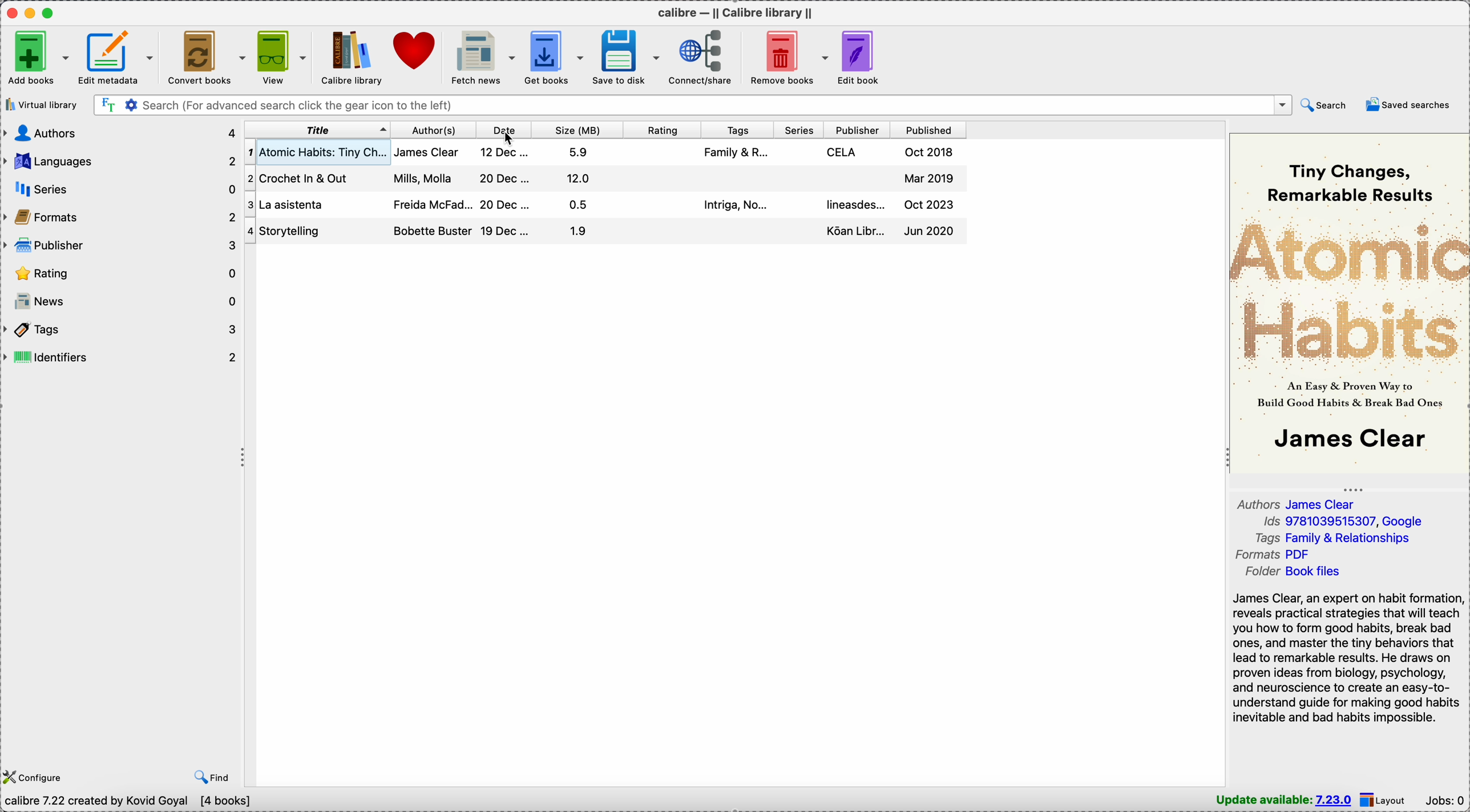  I want to click on James Clear, an expert on habit formation, reveals practical strategies that will teach you how to form good habits, break bad ones, and master the tiny behaviors that lead to remarkable results..., so click(1345, 657).